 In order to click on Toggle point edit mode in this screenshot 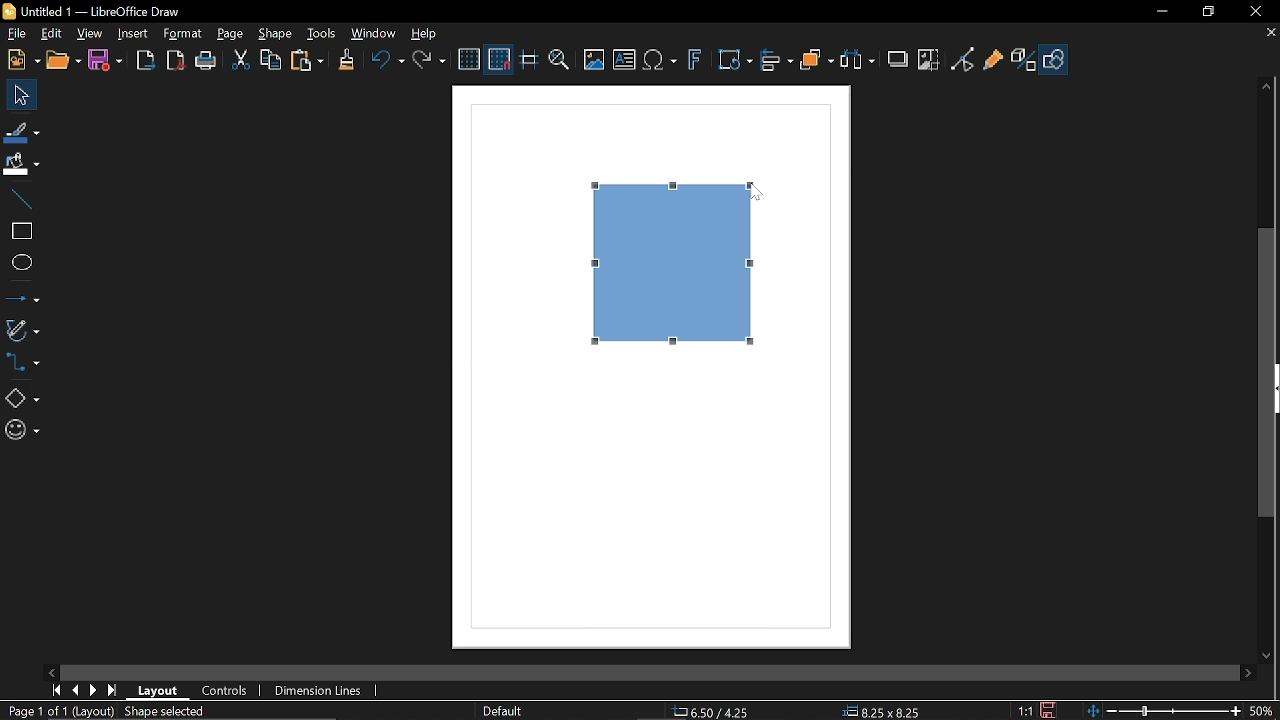, I will do `click(962, 61)`.